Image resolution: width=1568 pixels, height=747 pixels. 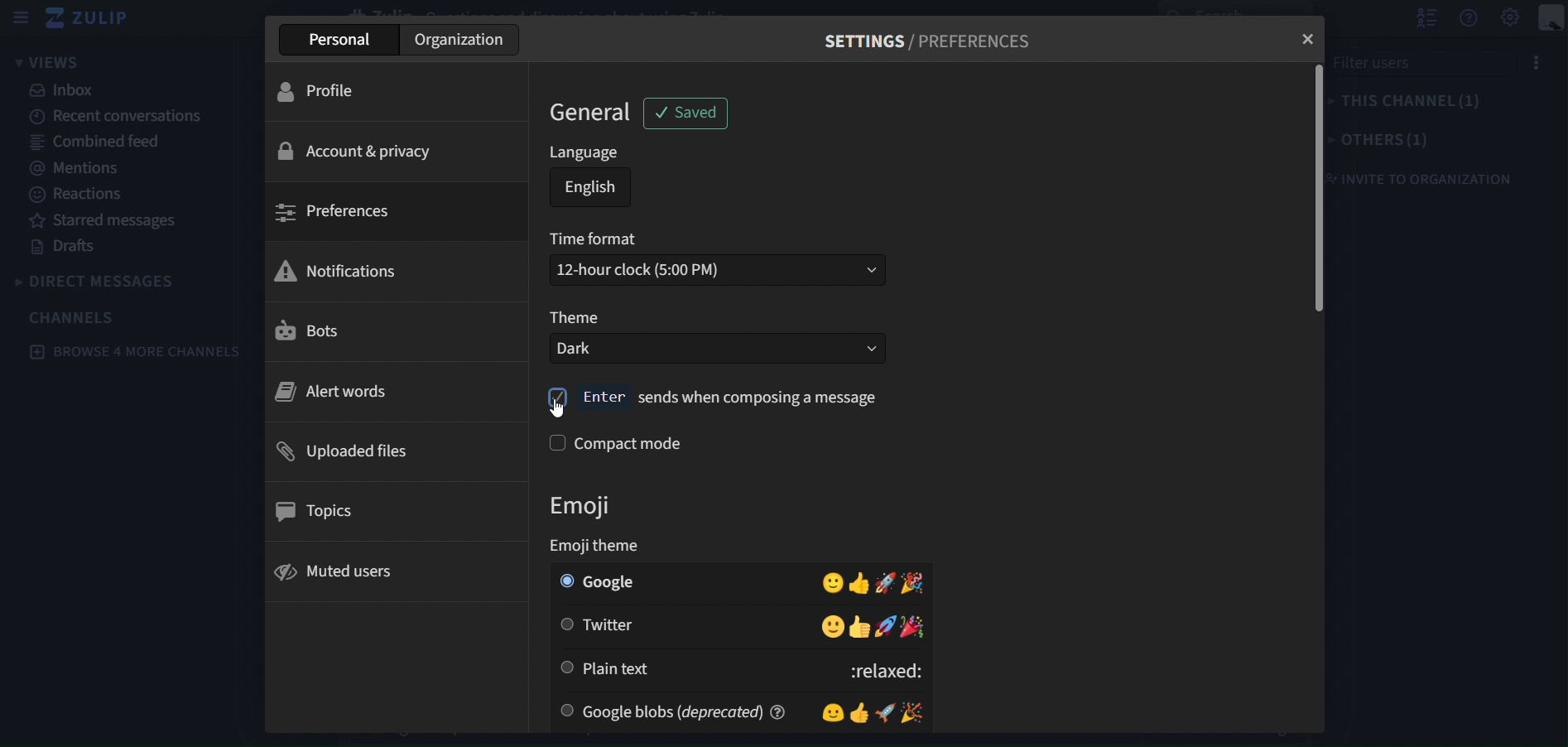 What do you see at coordinates (390, 270) in the screenshot?
I see `notifications` at bounding box center [390, 270].